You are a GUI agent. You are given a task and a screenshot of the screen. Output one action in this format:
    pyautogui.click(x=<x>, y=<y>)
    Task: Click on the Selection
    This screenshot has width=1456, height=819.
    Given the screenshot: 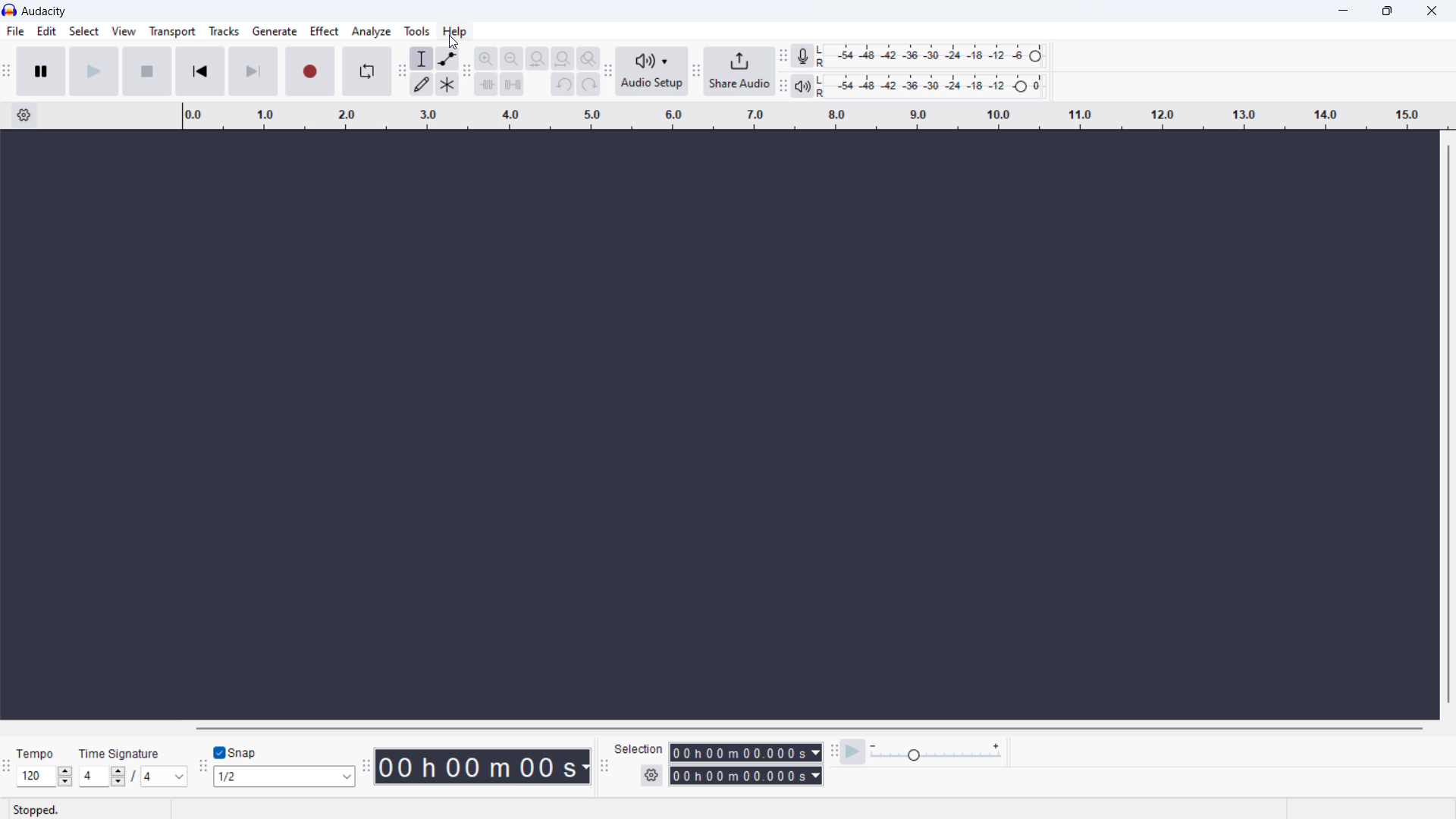 What is the action you would take?
    pyautogui.click(x=640, y=749)
    